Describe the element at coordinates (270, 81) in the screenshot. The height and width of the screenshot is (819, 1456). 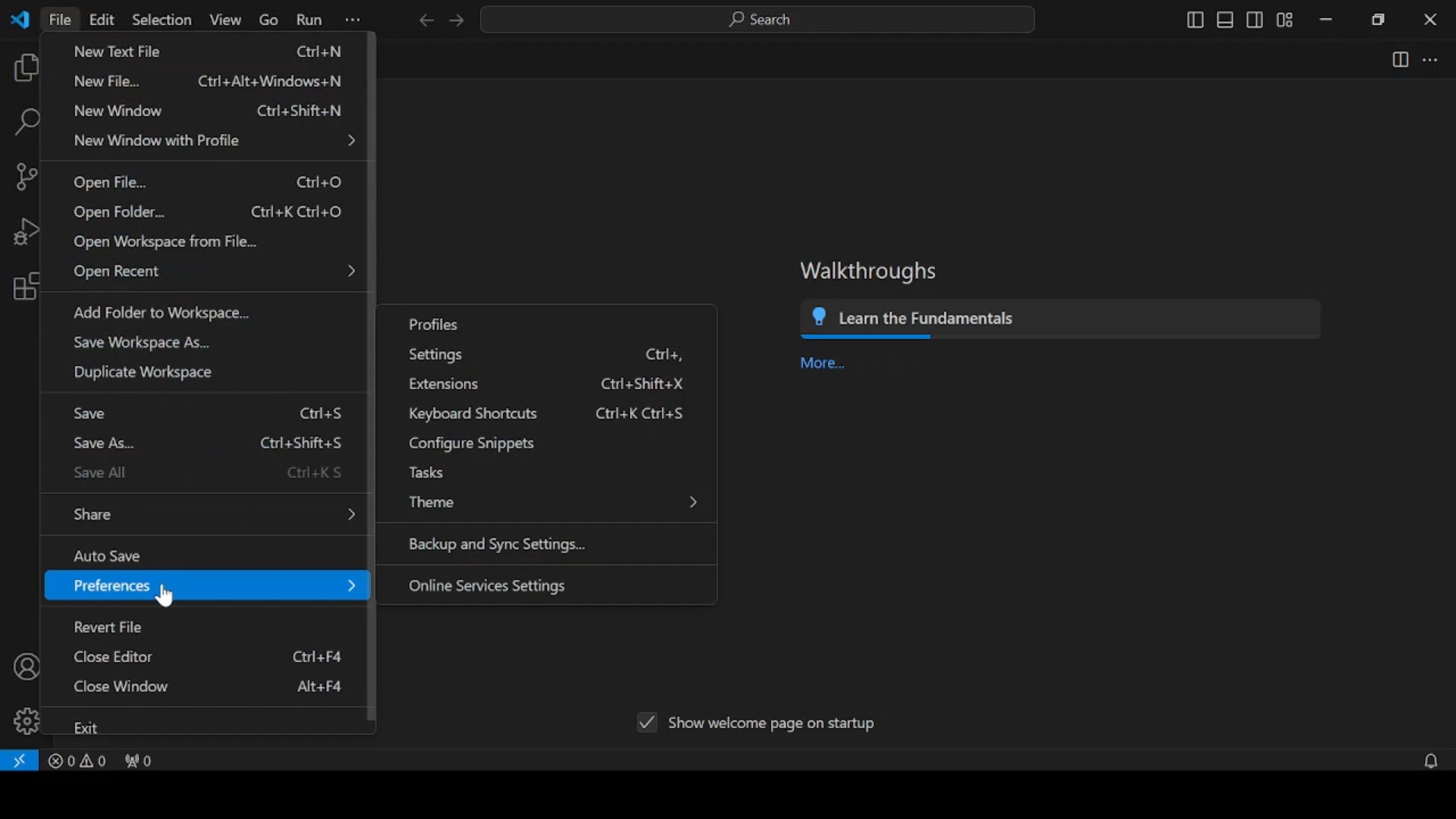
I see `ctrl+Alt+Windows+N` at that location.